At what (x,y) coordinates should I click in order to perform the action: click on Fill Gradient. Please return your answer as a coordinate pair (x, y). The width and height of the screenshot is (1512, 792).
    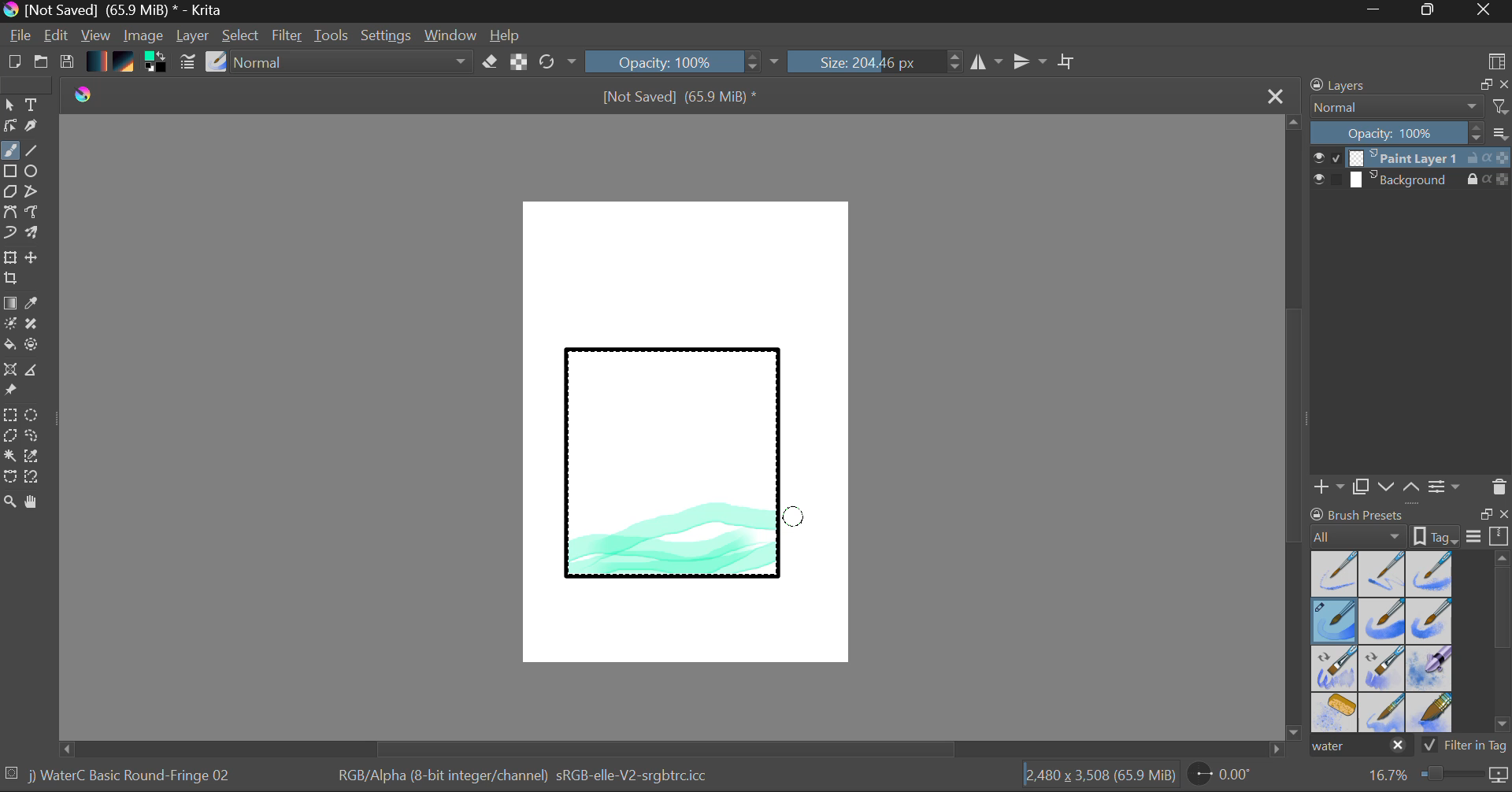
    Looking at the image, I should click on (10, 302).